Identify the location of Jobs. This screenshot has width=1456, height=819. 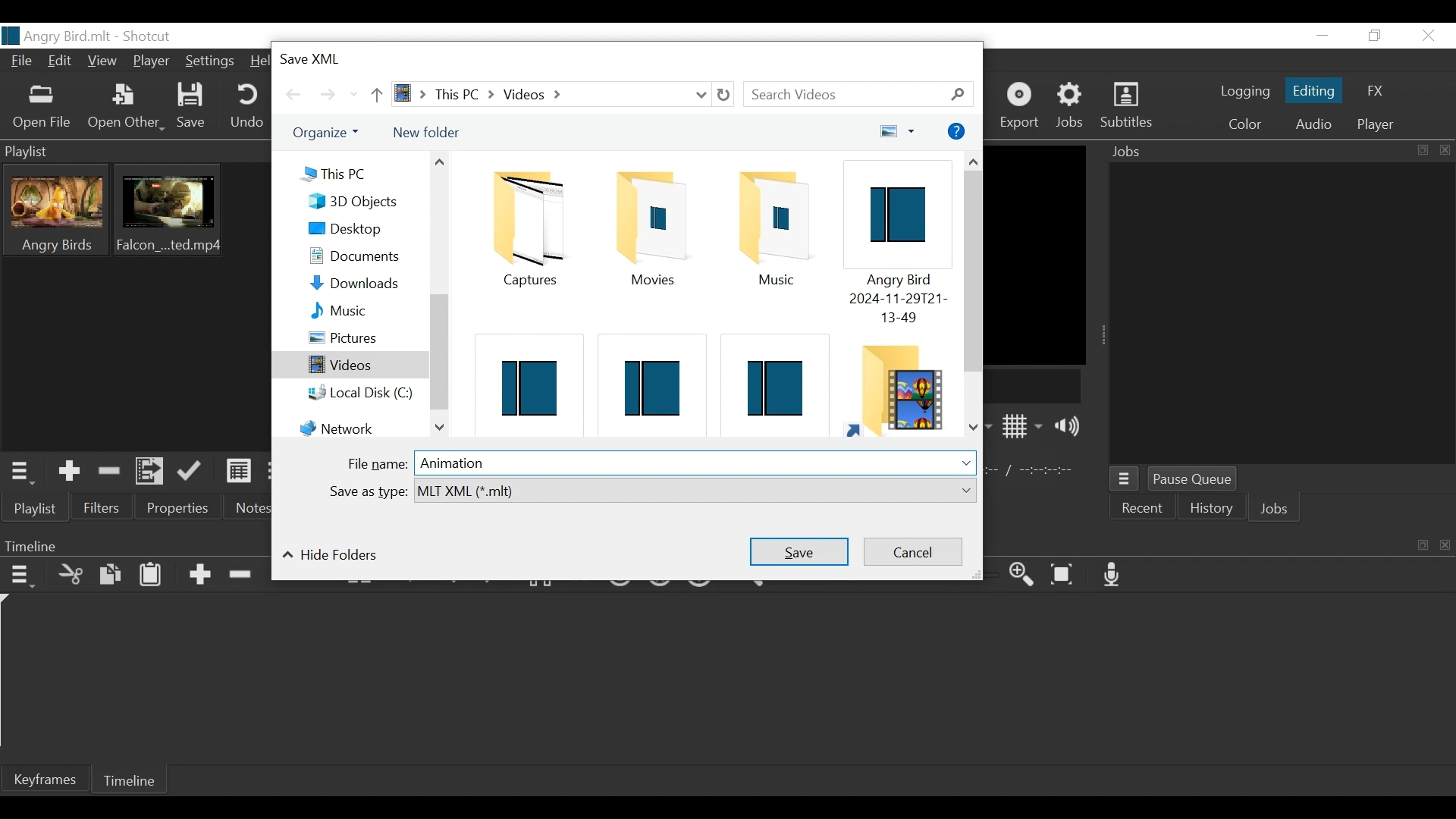
(1279, 153).